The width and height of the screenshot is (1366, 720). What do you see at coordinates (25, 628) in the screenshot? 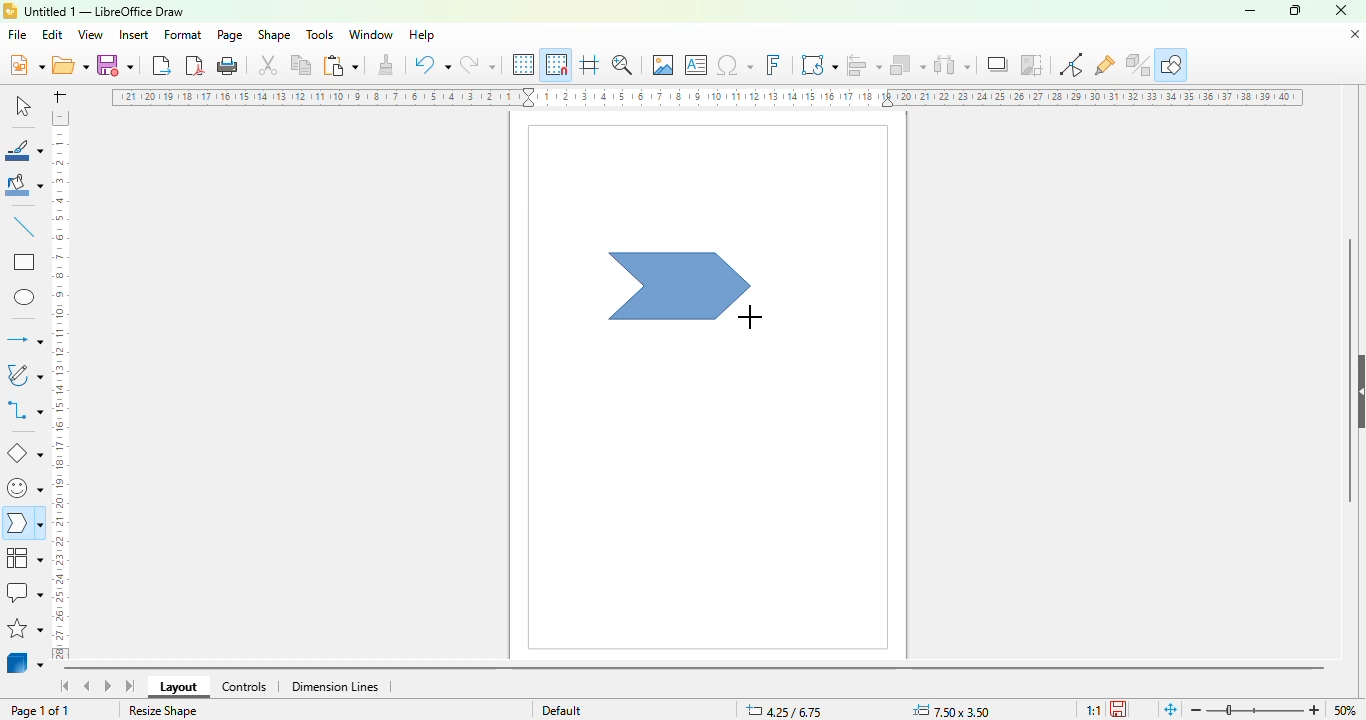
I see `stars and banners` at bounding box center [25, 628].